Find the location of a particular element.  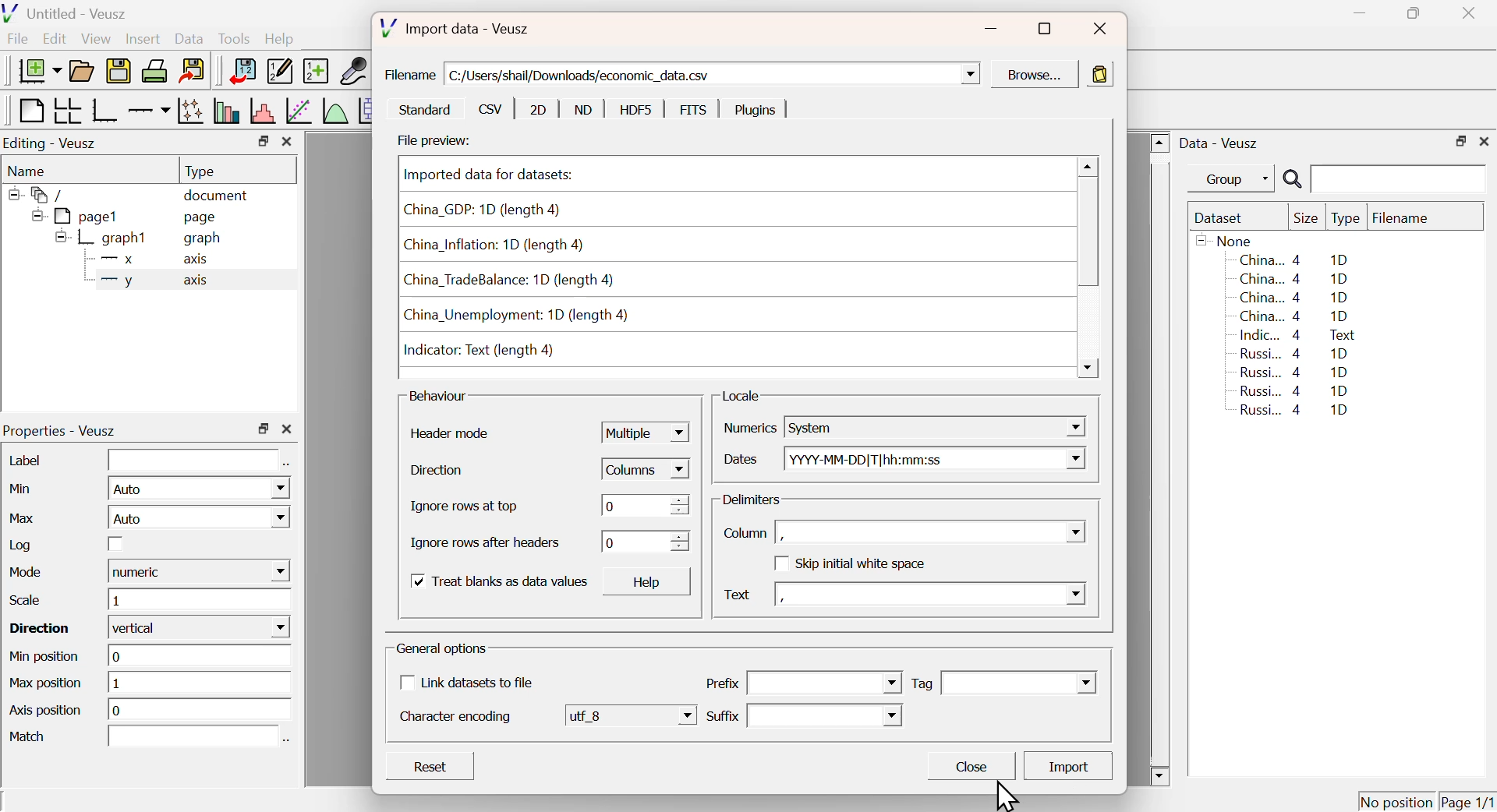

csv is located at coordinates (490, 110).